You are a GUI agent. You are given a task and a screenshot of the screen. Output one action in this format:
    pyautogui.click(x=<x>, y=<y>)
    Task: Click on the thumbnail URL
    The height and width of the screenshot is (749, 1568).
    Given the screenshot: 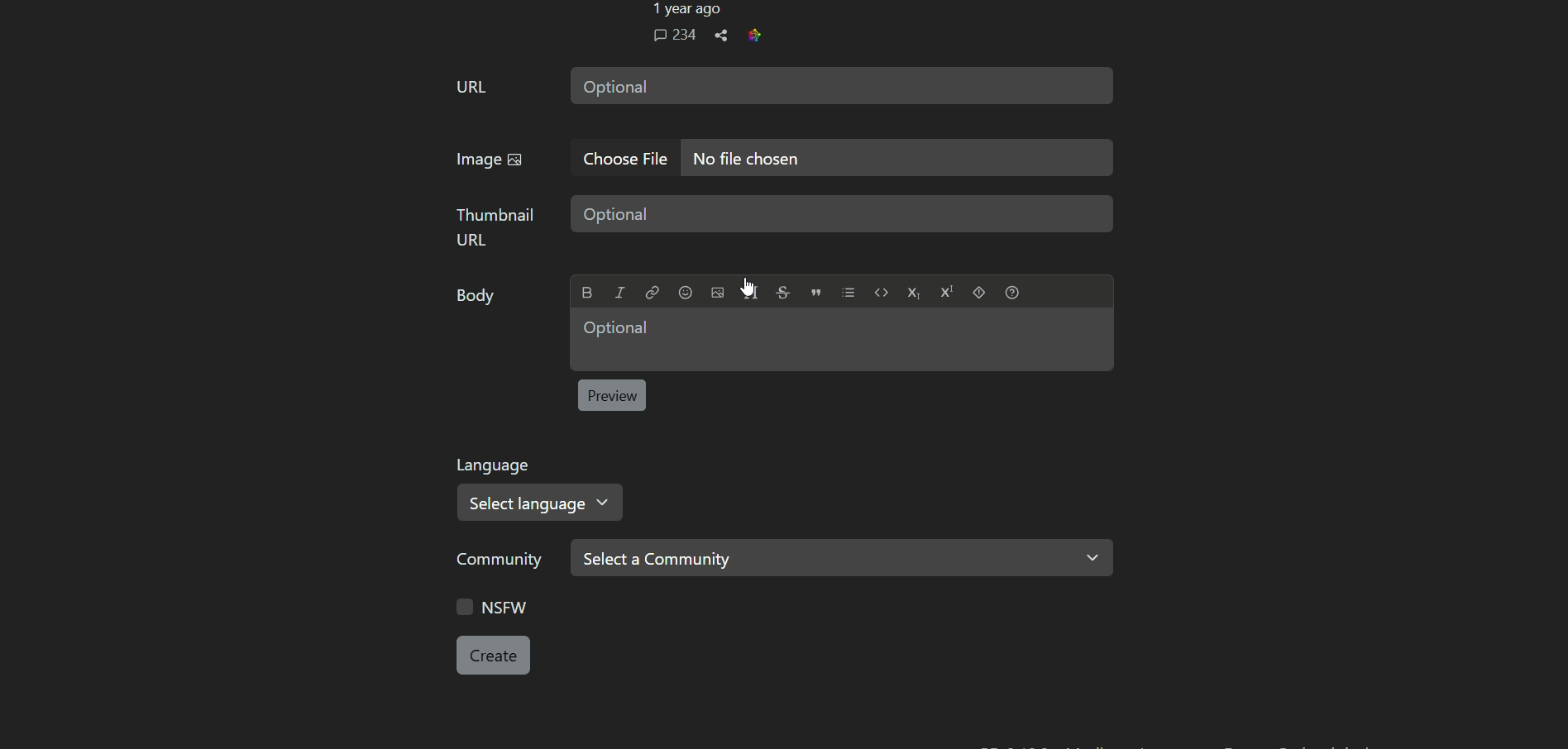 What is the action you would take?
    pyautogui.click(x=494, y=226)
    